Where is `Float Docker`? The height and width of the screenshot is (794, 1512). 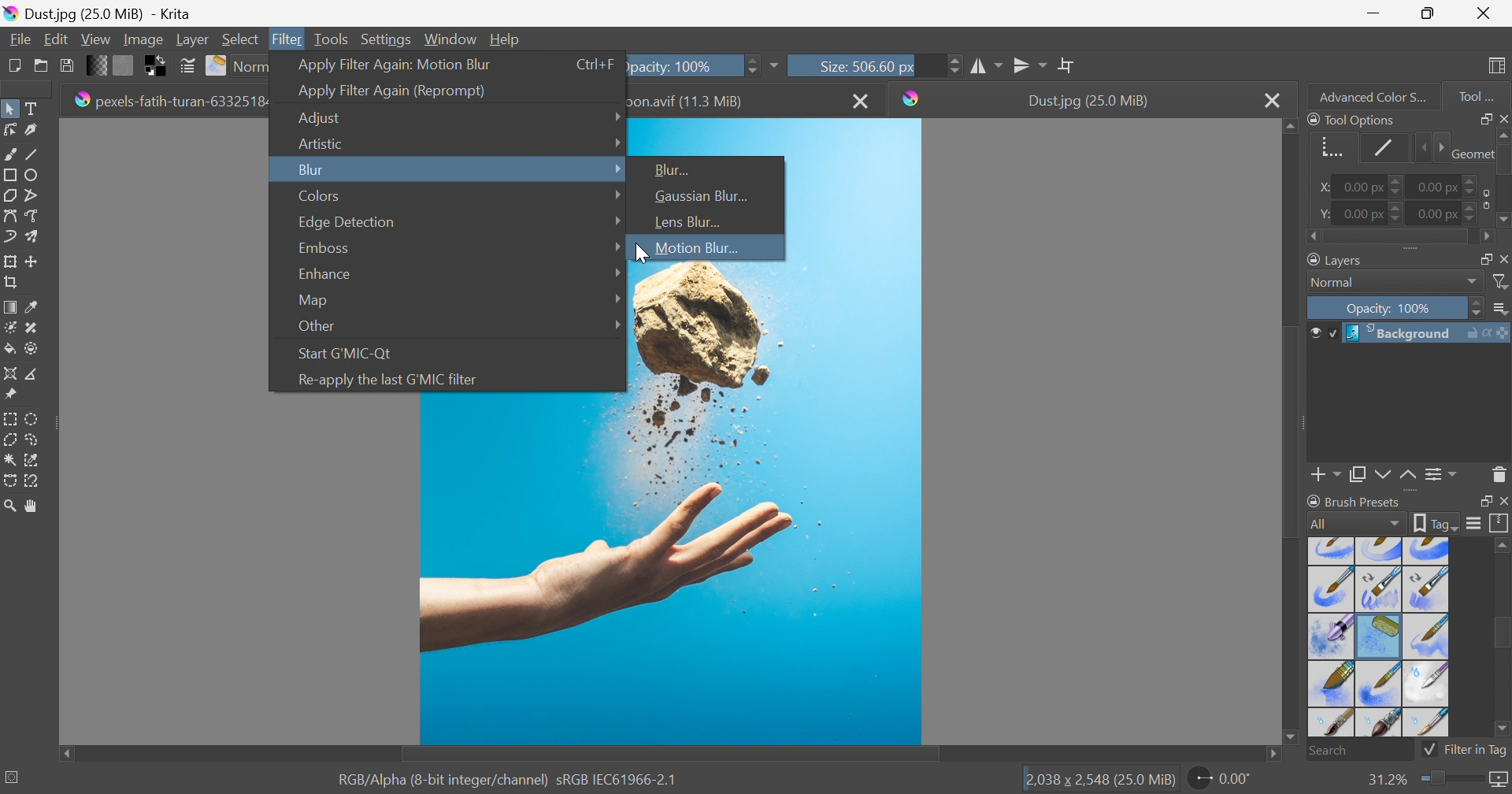
Float Docker is located at coordinates (1483, 118).